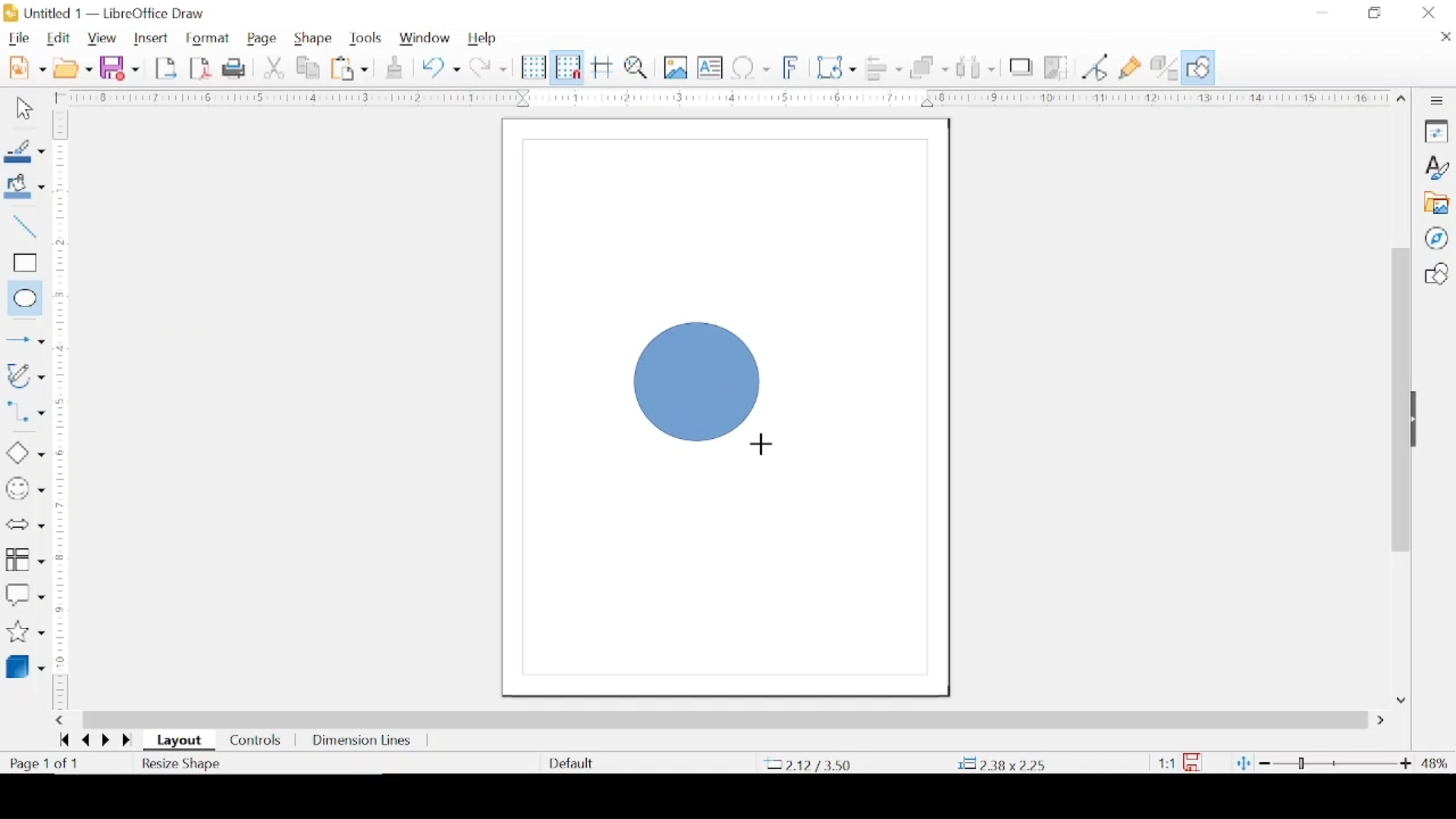 The height and width of the screenshot is (819, 1456). I want to click on go back, so click(82, 742).